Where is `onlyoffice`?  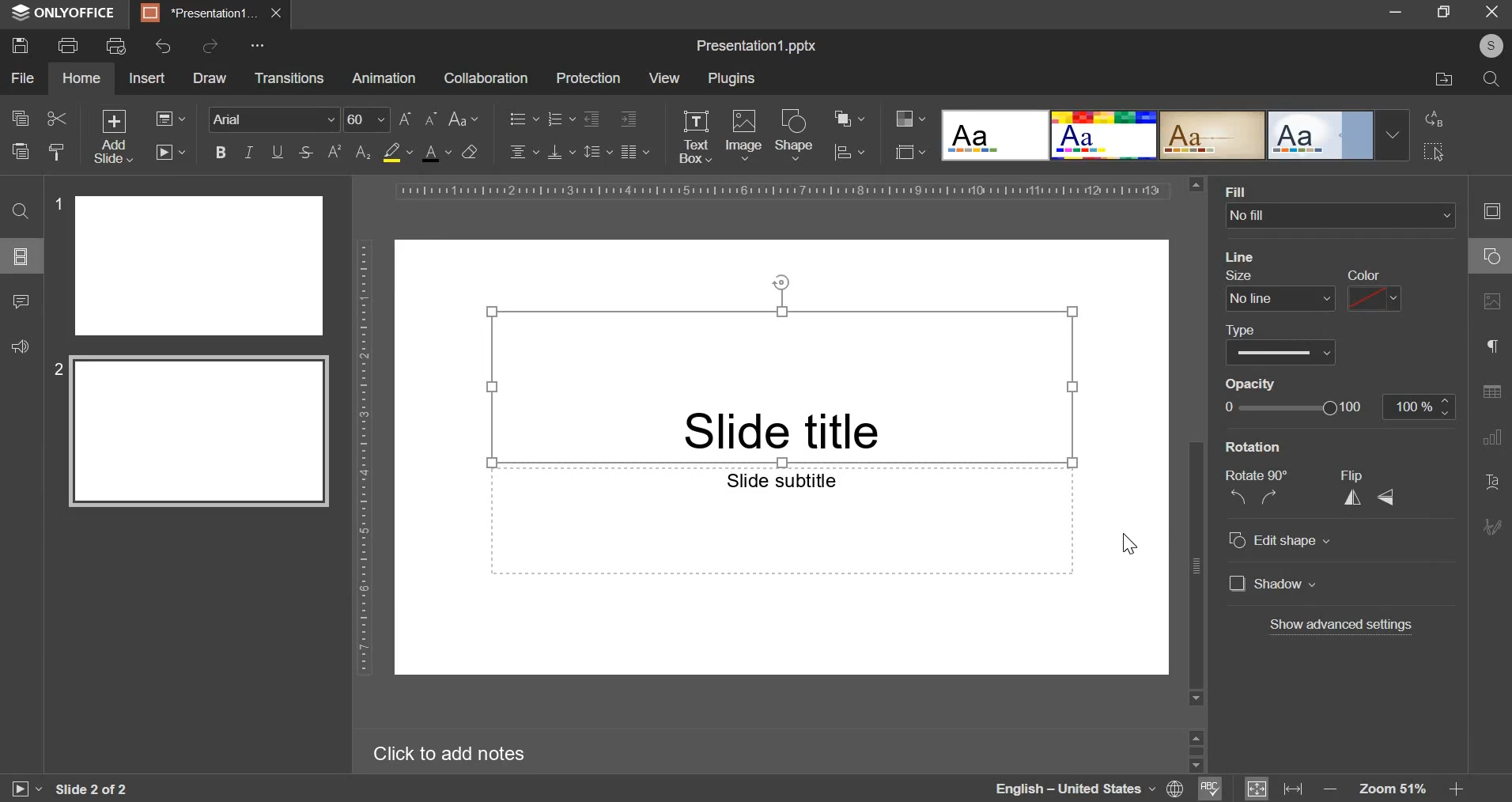 onlyoffice is located at coordinates (68, 13).